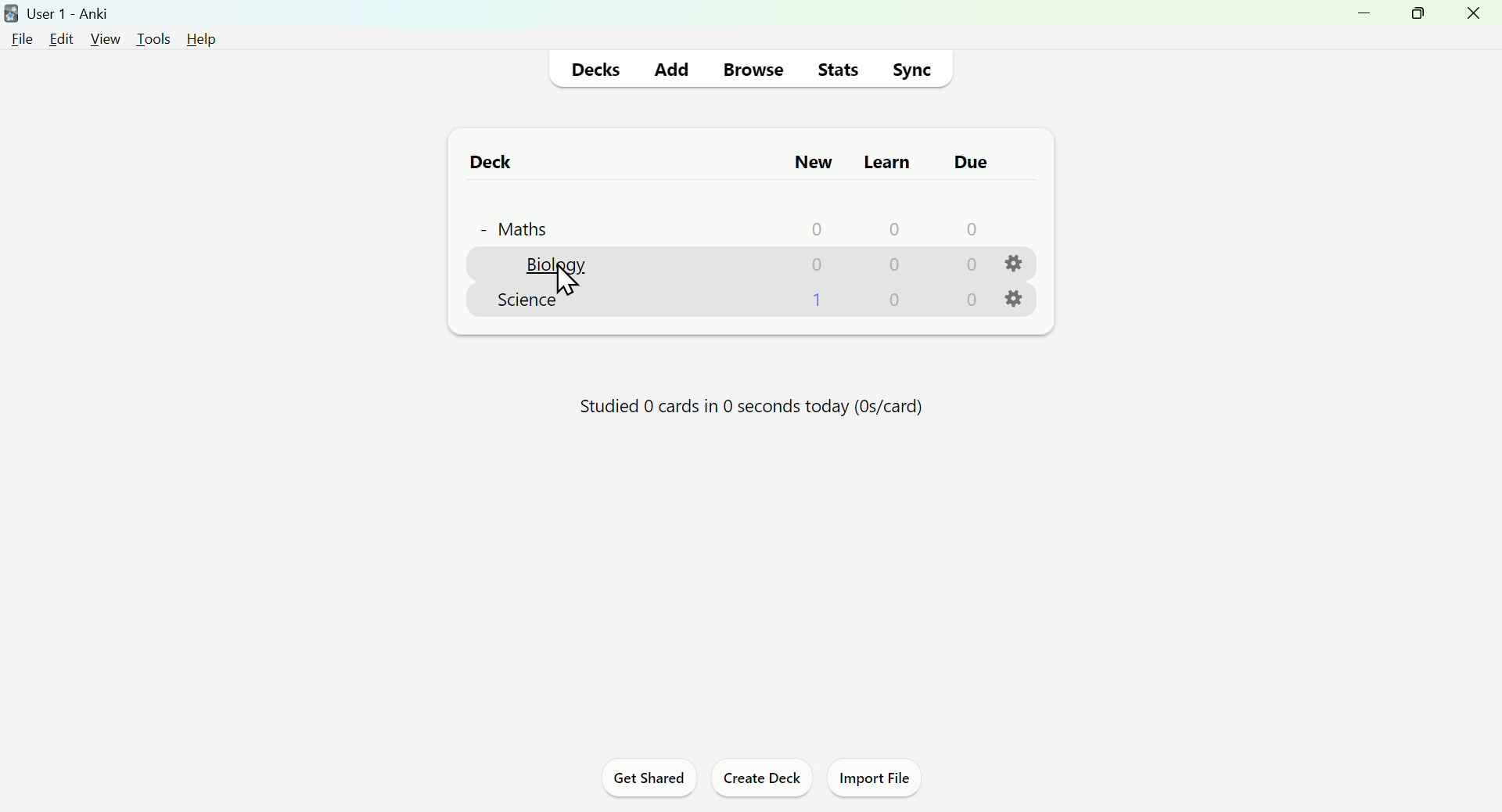 This screenshot has width=1502, height=812. I want to click on view, so click(104, 39).